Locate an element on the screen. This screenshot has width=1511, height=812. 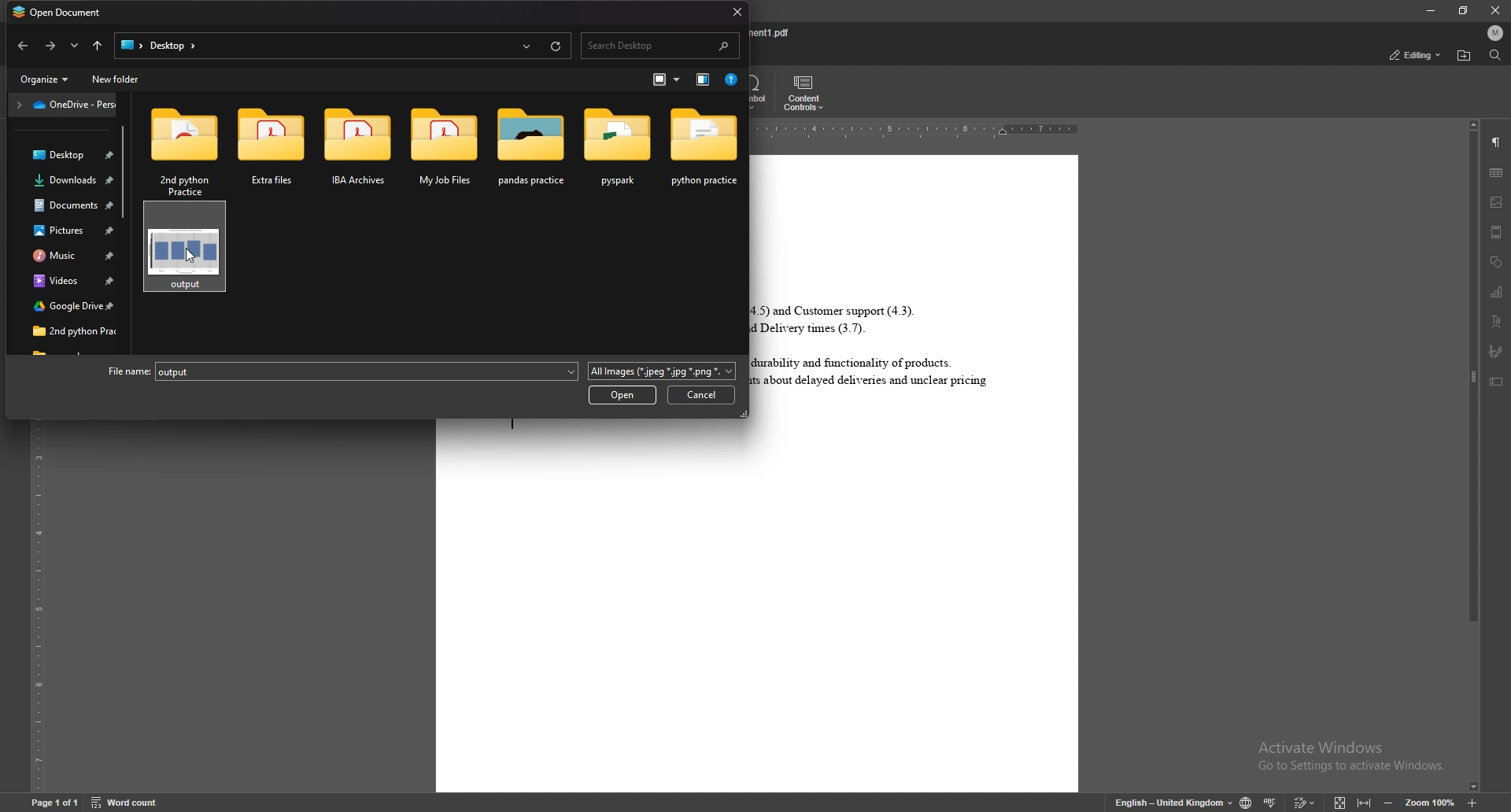
go forward is located at coordinates (24, 46).